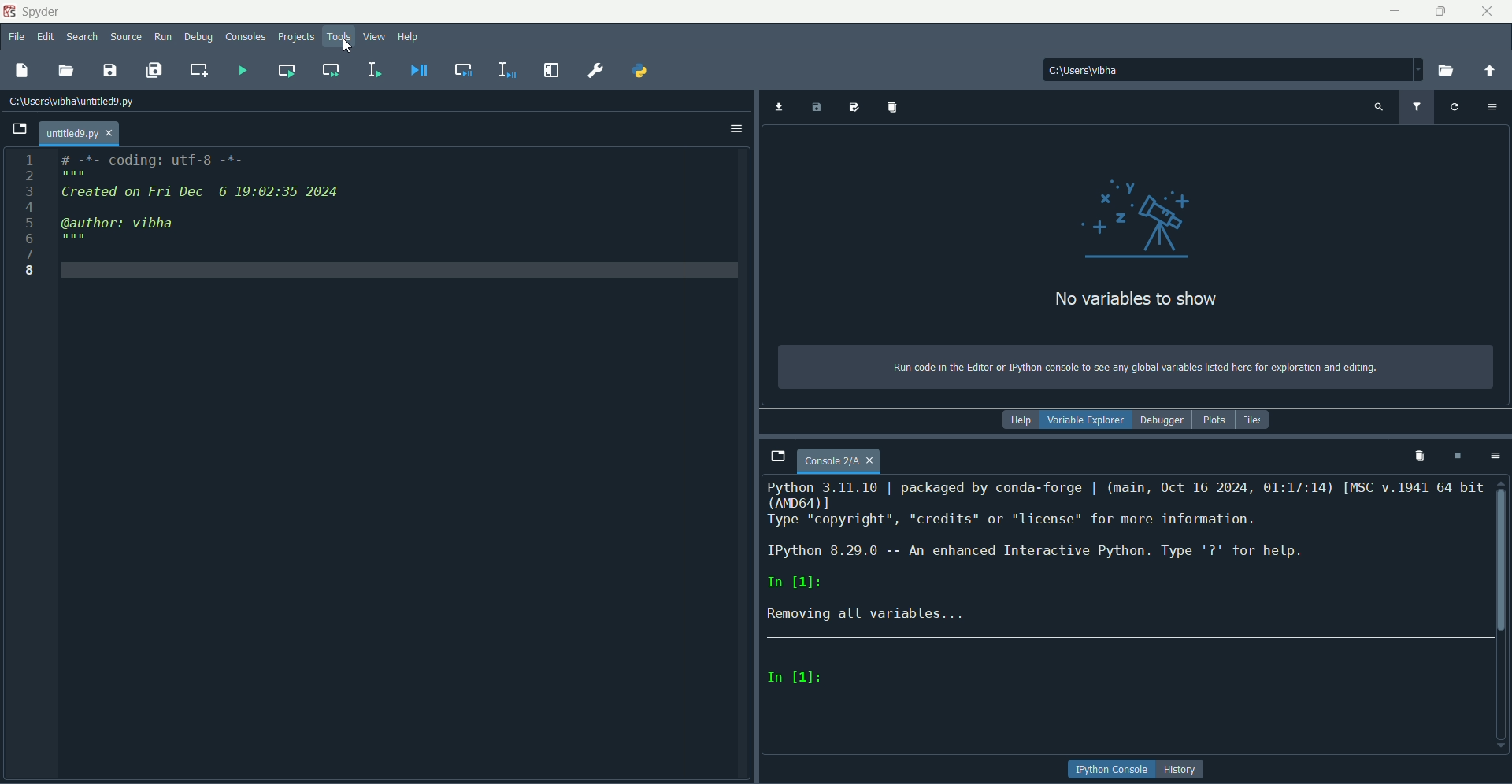 This screenshot has height=784, width=1512. What do you see at coordinates (796, 678) in the screenshot?
I see `character` at bounding box center [796, 678].